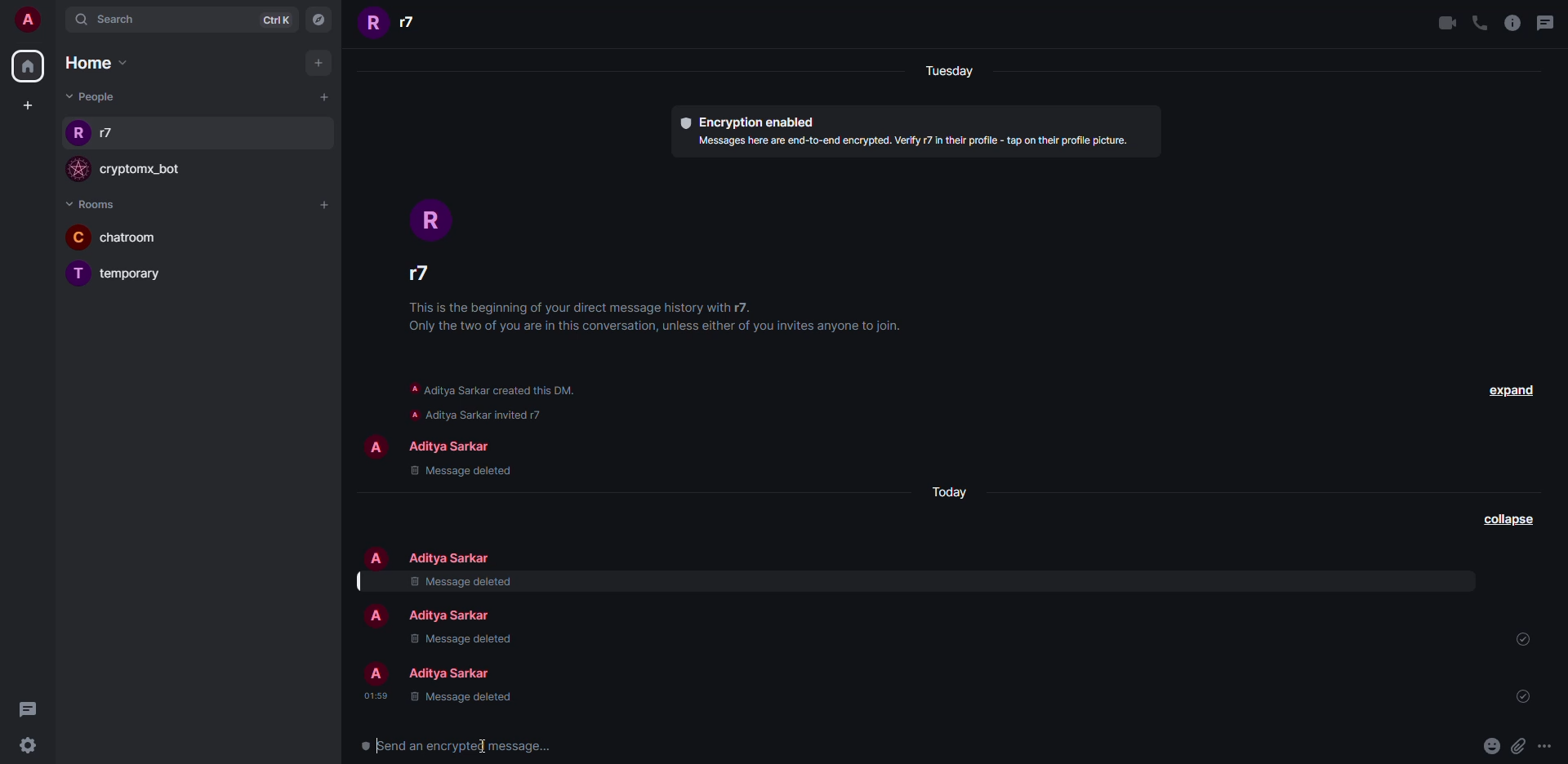 This screenshot has height=764, width=1568. Describe the element at coordinates (326, 205) in the screenshot. I see `add` at that location.